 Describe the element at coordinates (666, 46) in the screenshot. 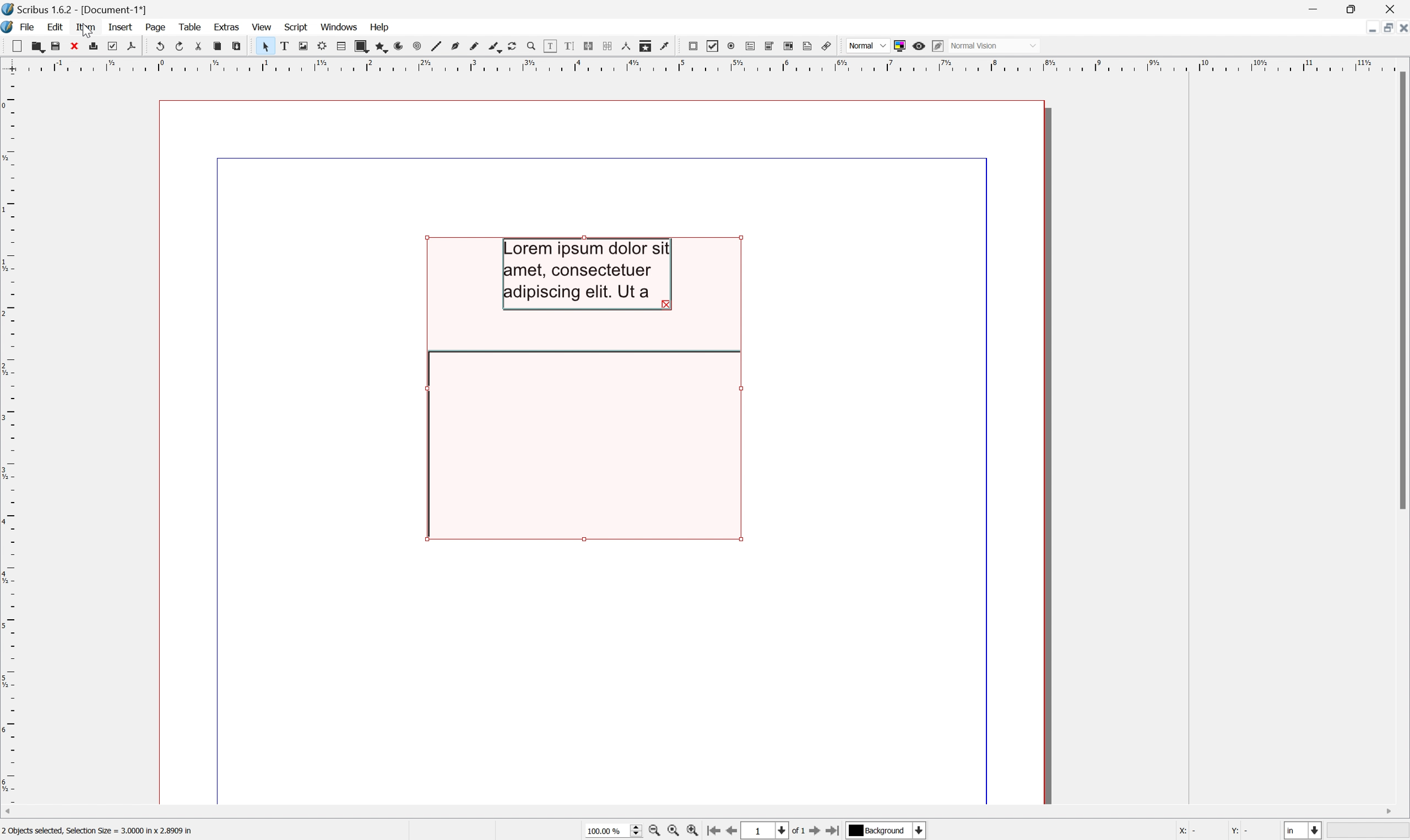

I see `Eye dropper` at that location.